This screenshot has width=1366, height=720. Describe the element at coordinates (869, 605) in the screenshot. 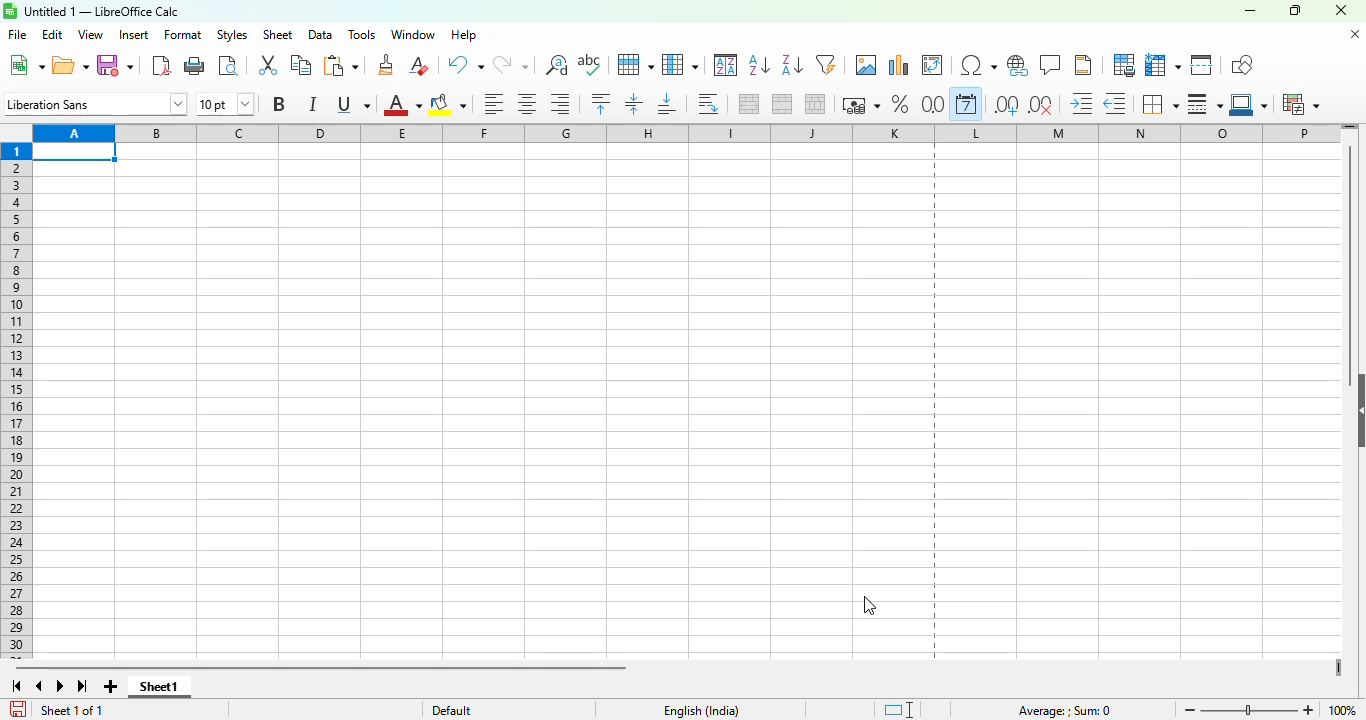

I see `cursor` at that location.